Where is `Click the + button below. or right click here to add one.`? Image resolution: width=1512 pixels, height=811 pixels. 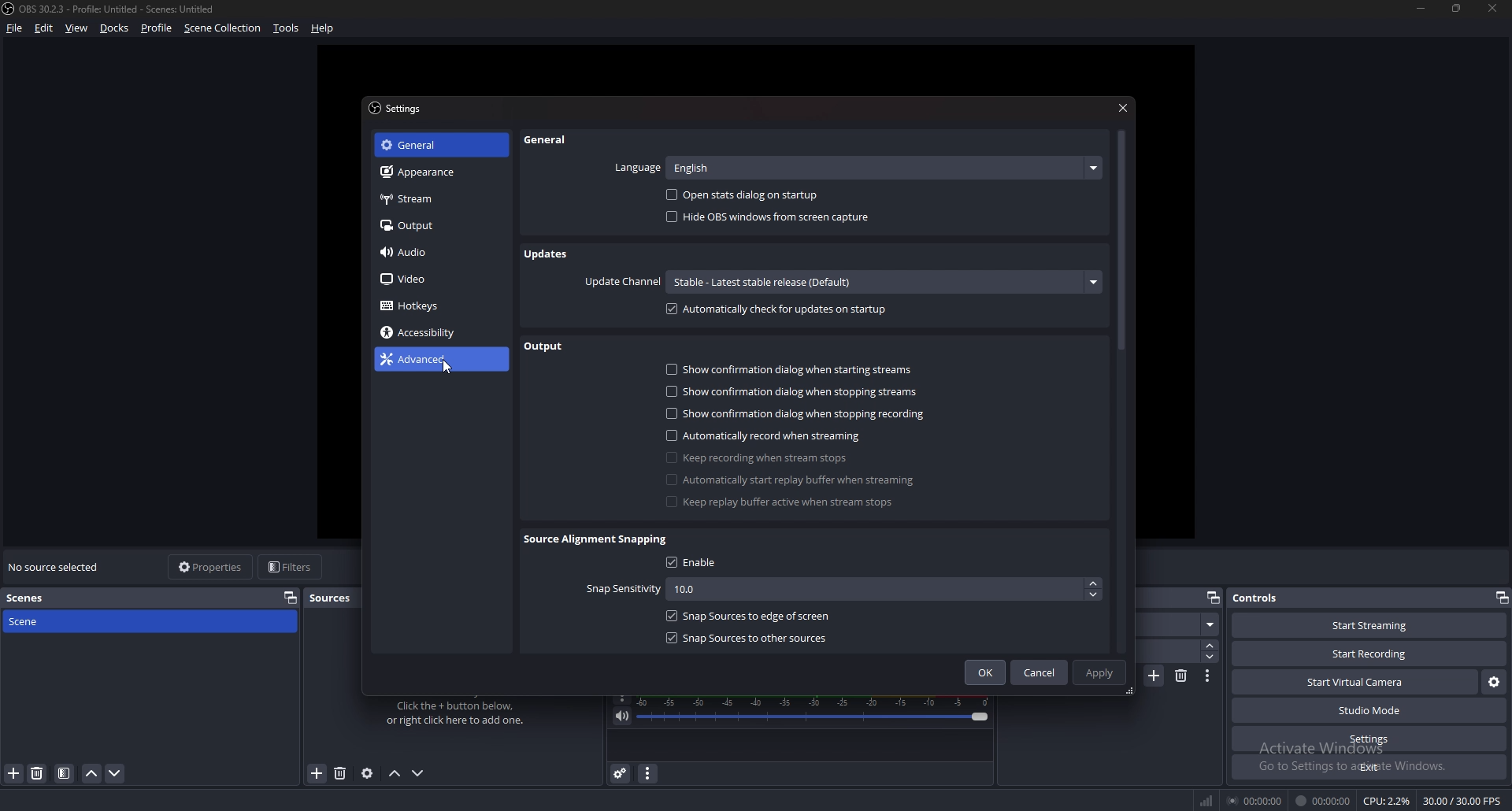
Click the + button below. or right click here to add one. is located at coordinates (458, 713).